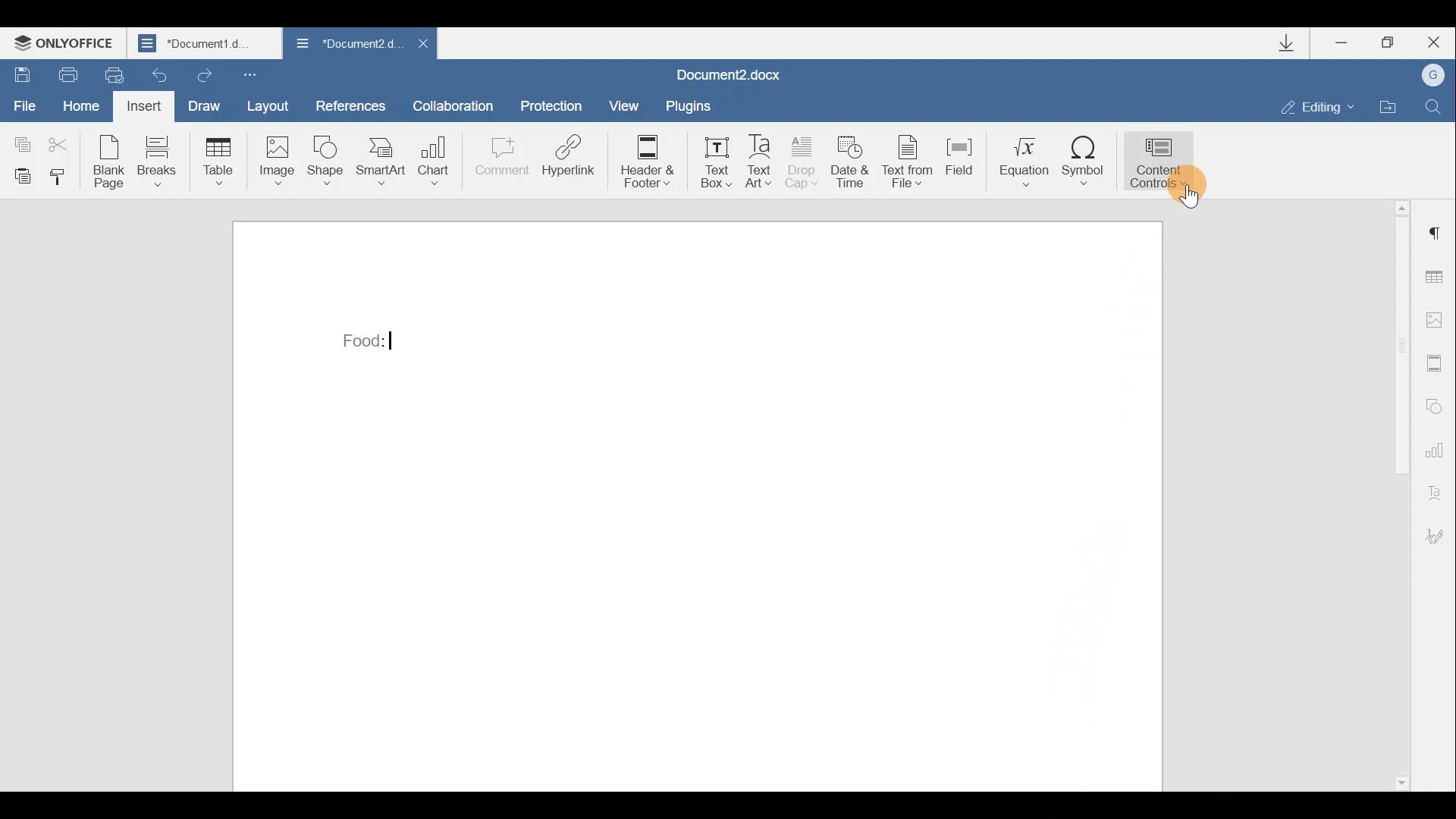 Image resolution: width=1456 pixels, height=819 pixels. What do you see at coordinates (966, 166) in the screenshot?
I see `Field` at bounding box center [966, 166].